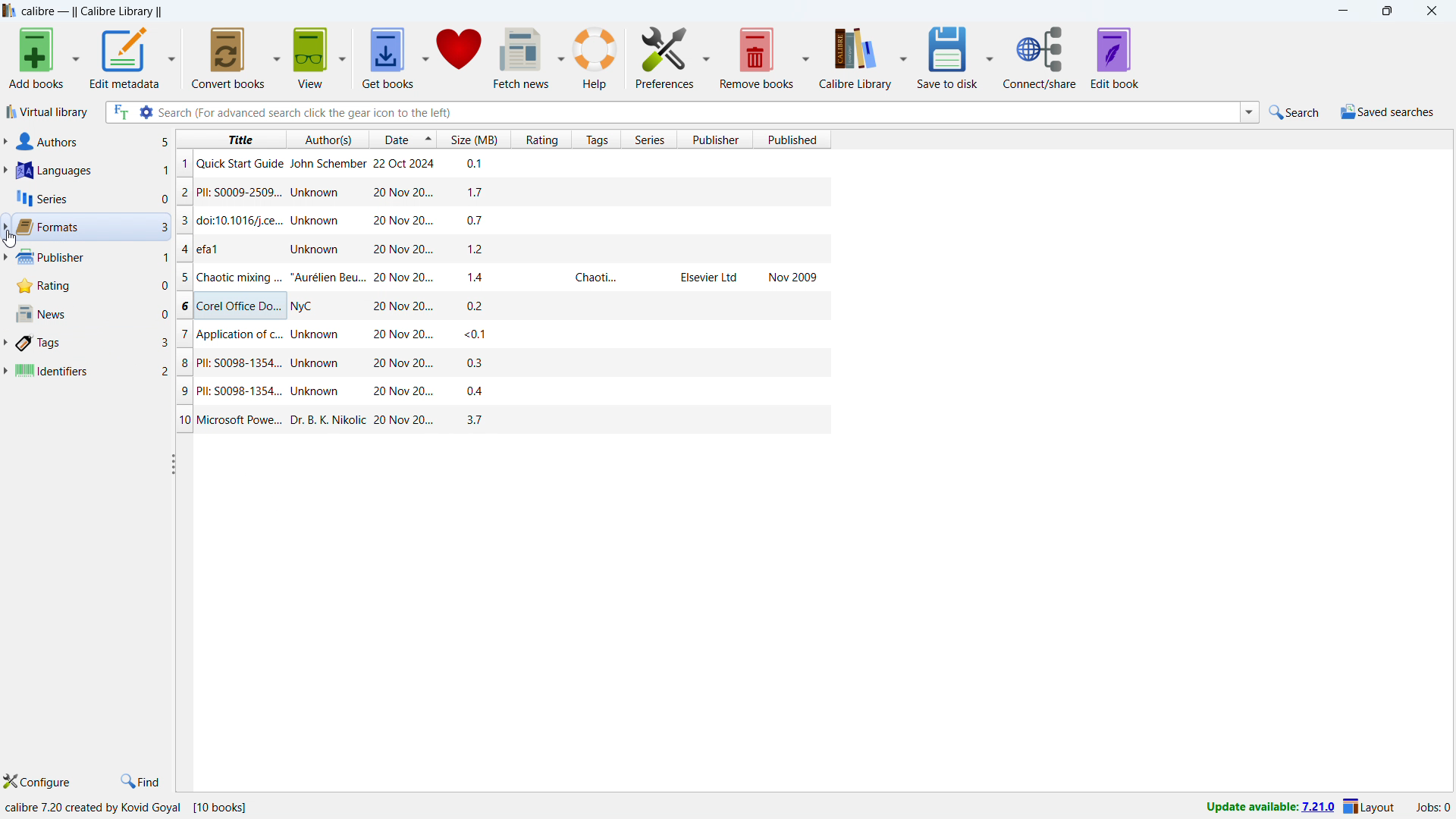 This screenshot has height=819, width=1456. I want to click on sort by series, so click(648, 139).